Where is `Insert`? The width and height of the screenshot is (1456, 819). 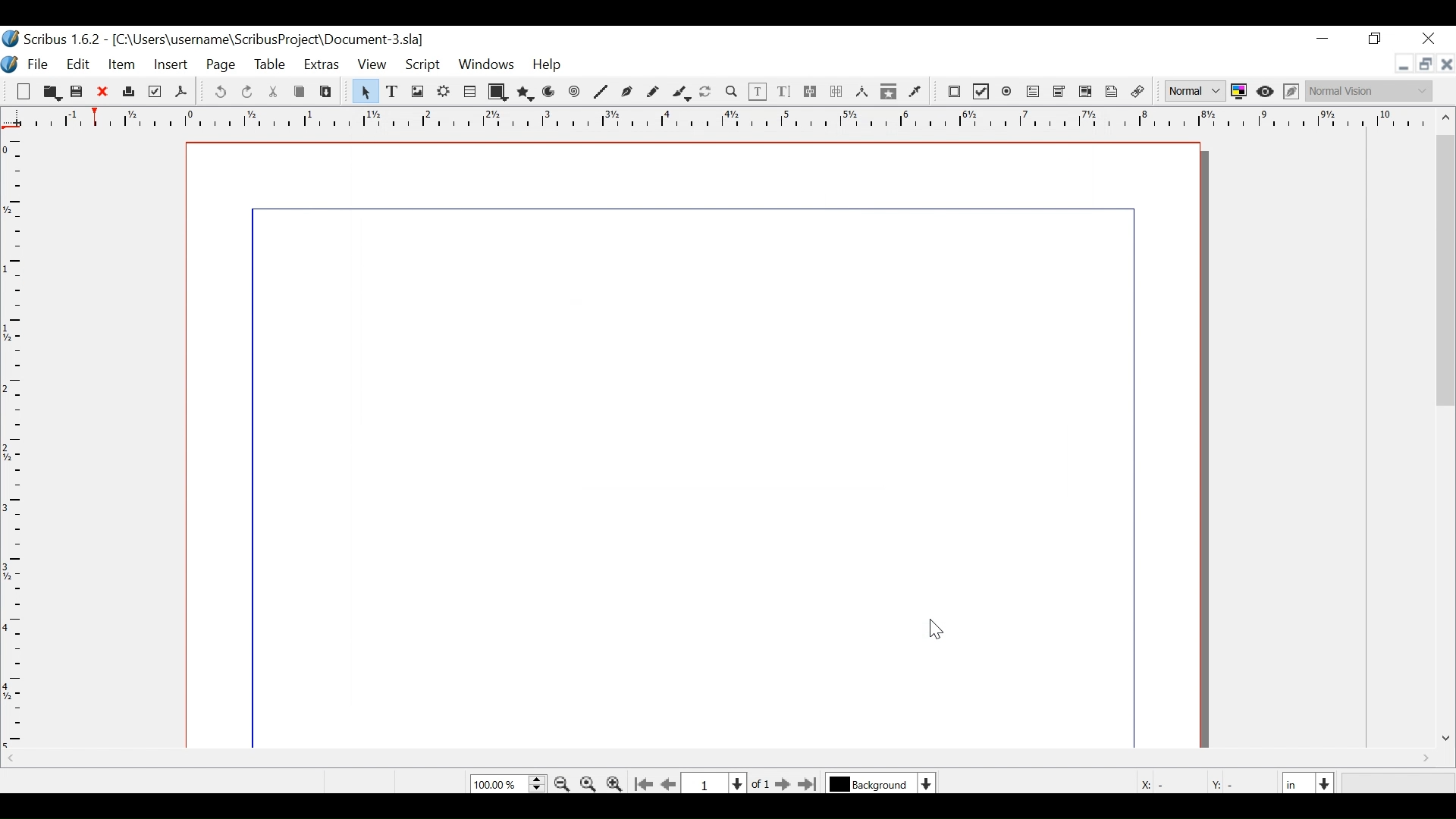
Insert is located at coordinates (170, 65).